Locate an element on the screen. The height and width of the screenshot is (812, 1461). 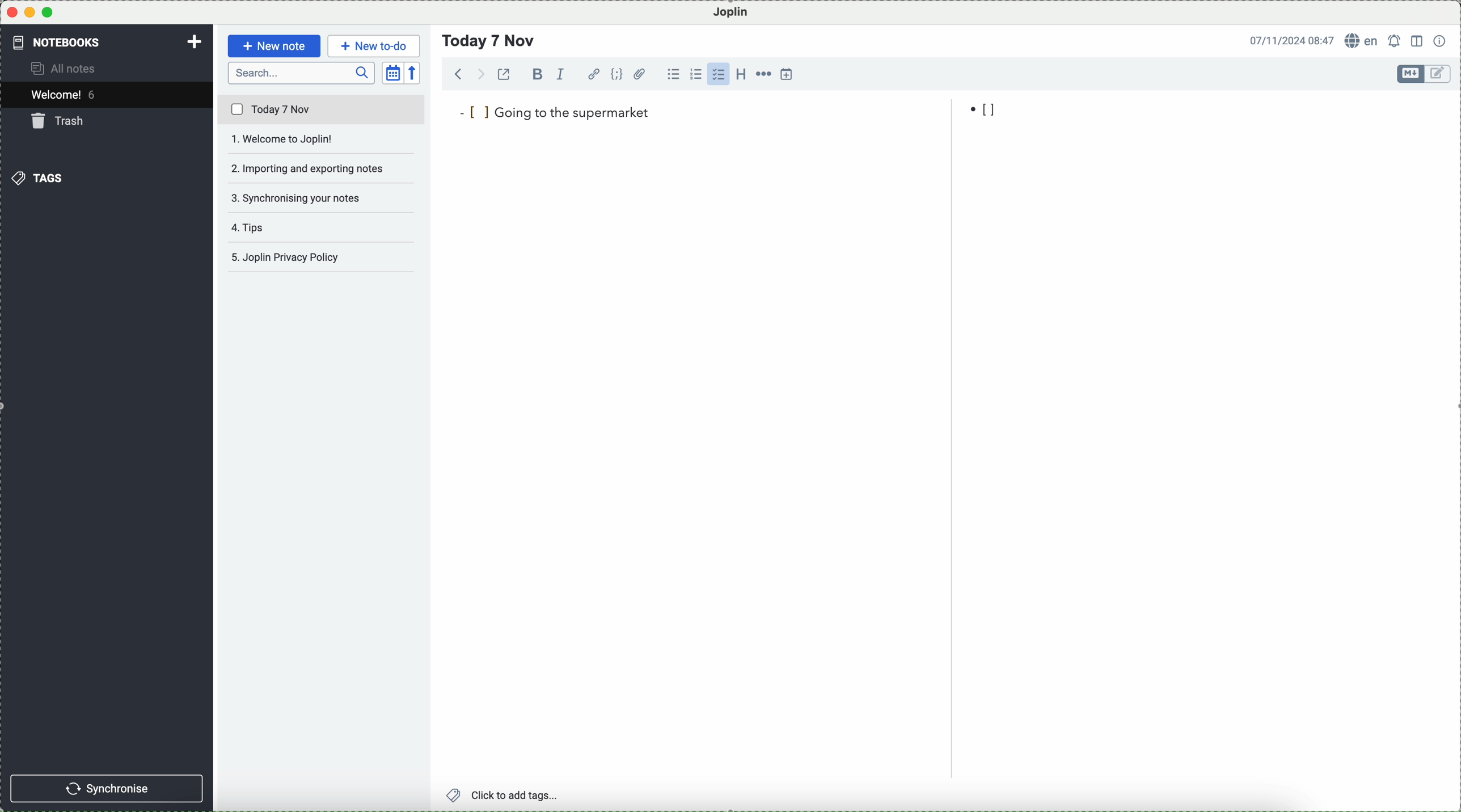
trash is located at coordinates (60, 121).